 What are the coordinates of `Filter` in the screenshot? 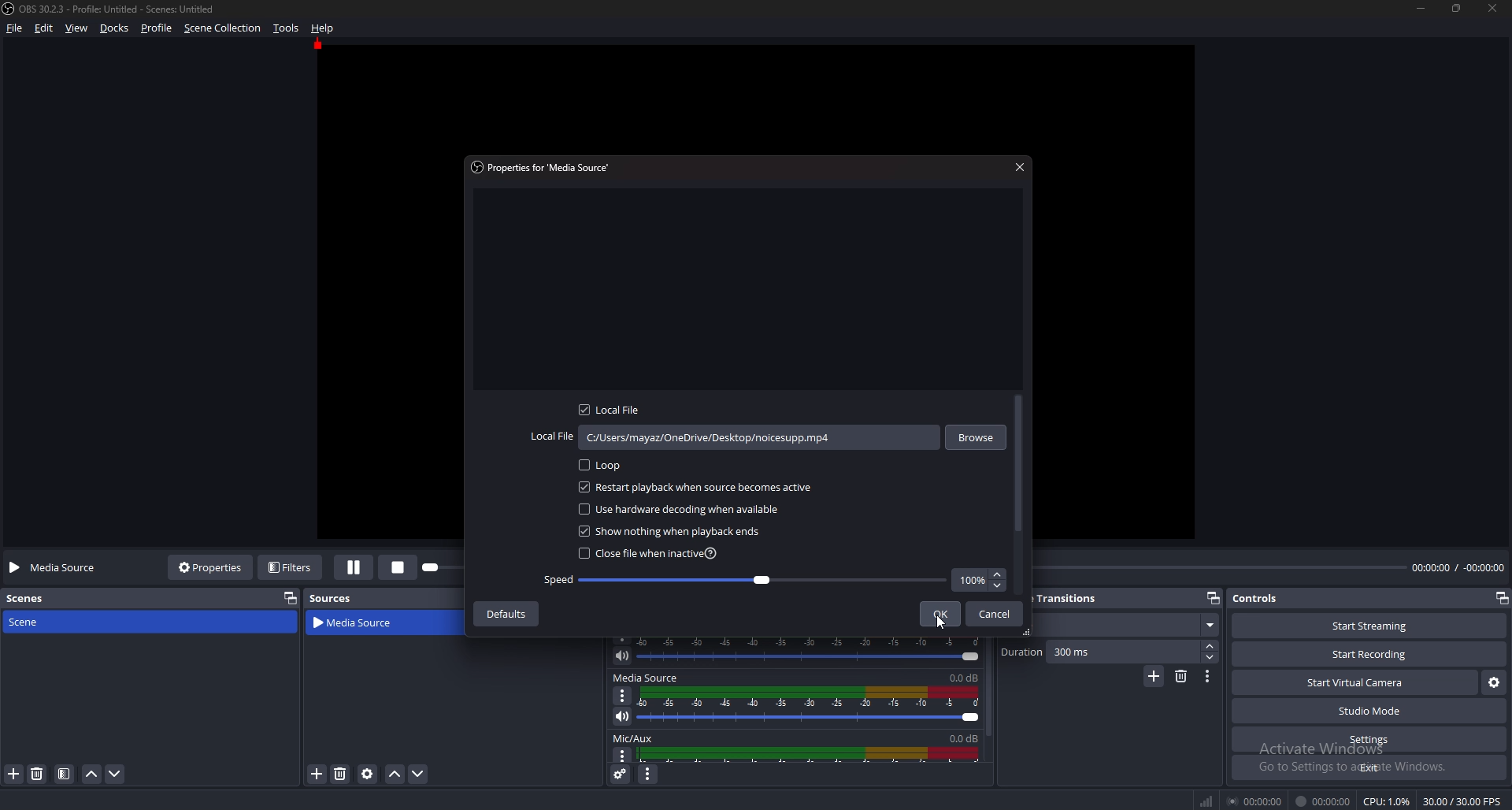 It's located at (65, 775).